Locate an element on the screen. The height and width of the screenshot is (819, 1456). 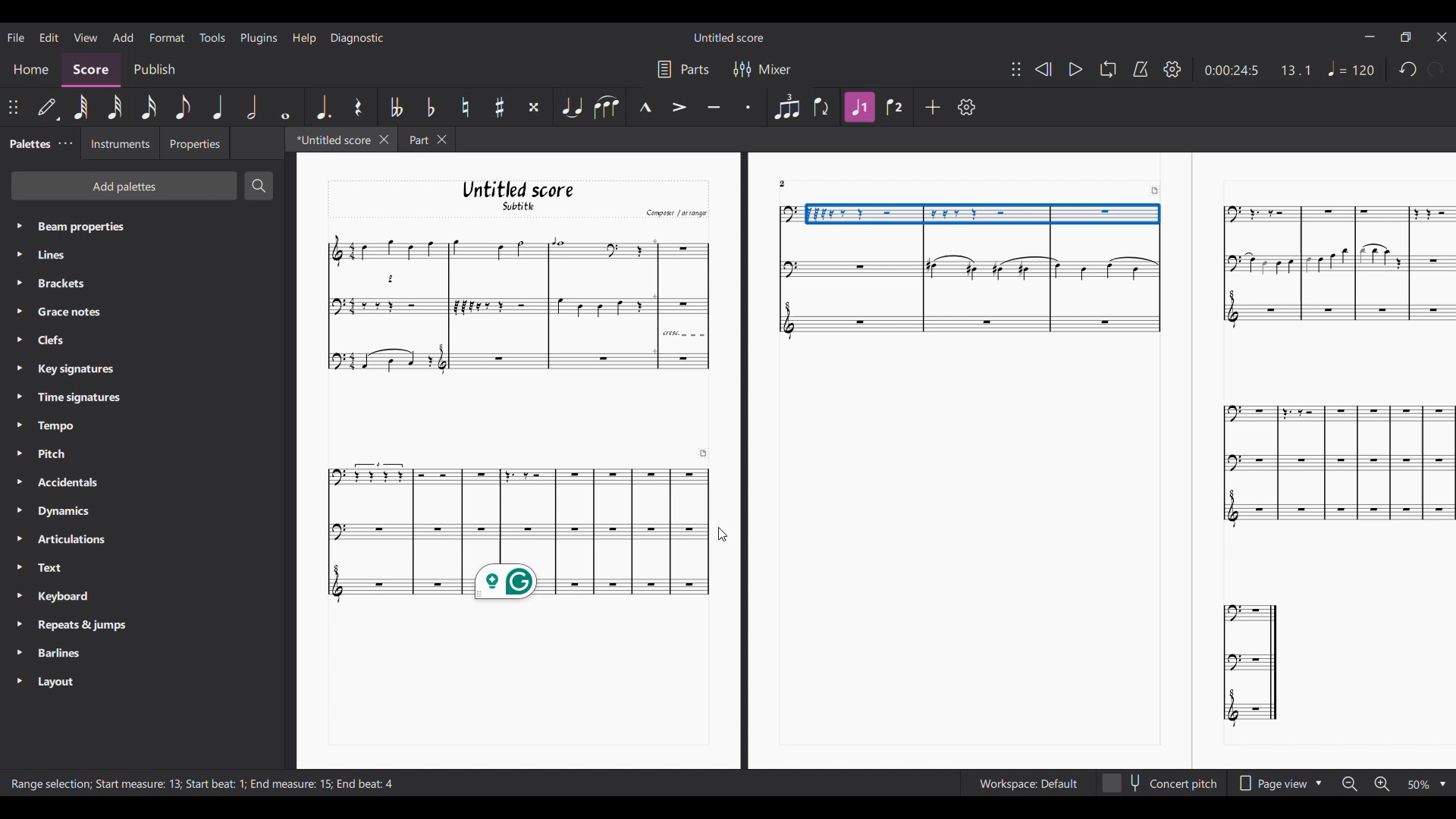
Settings is located at coordinates (1172, 69).